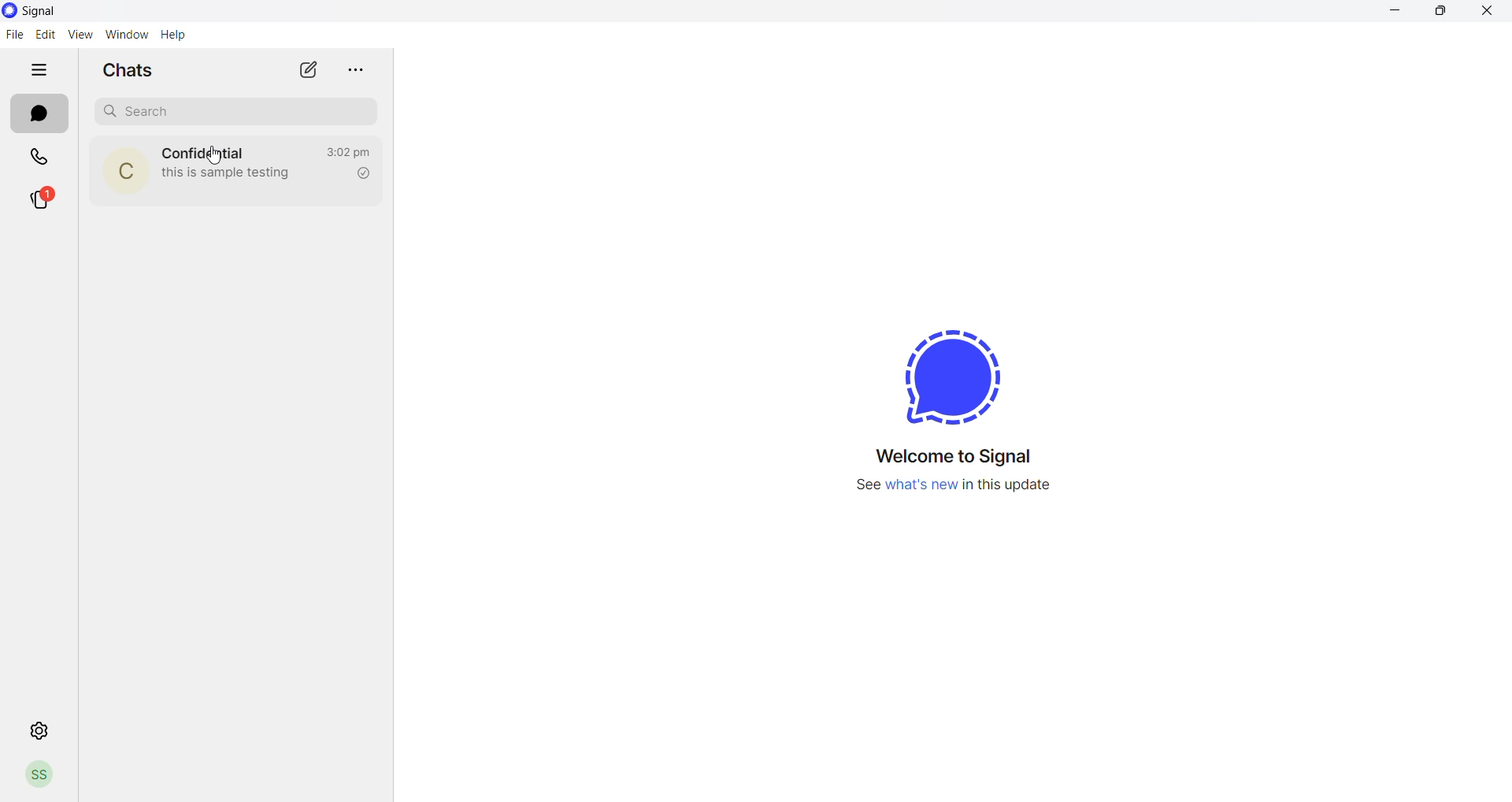 The image size is (1512, 802). What do you see at coordinates (127, 34) in the screenshot?
I see `window` at bounding box center [127, 34].